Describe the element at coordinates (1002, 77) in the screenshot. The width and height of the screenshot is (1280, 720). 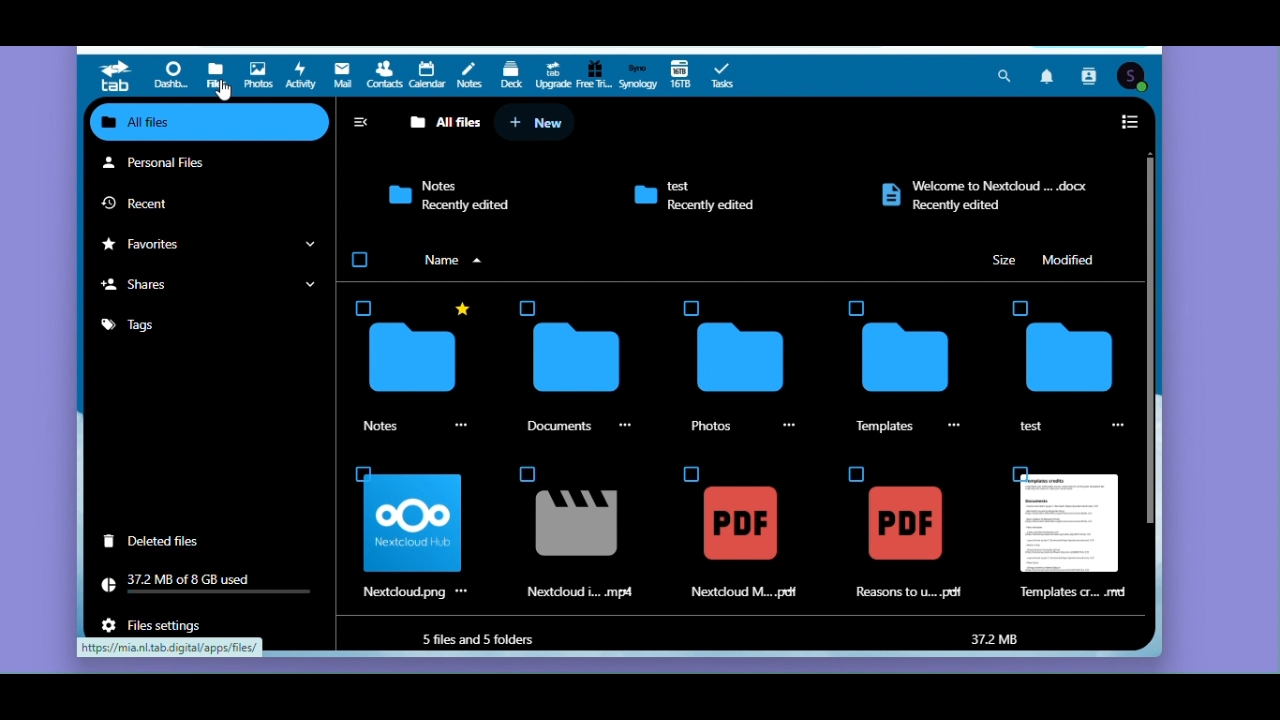
I see `Search` at that location.